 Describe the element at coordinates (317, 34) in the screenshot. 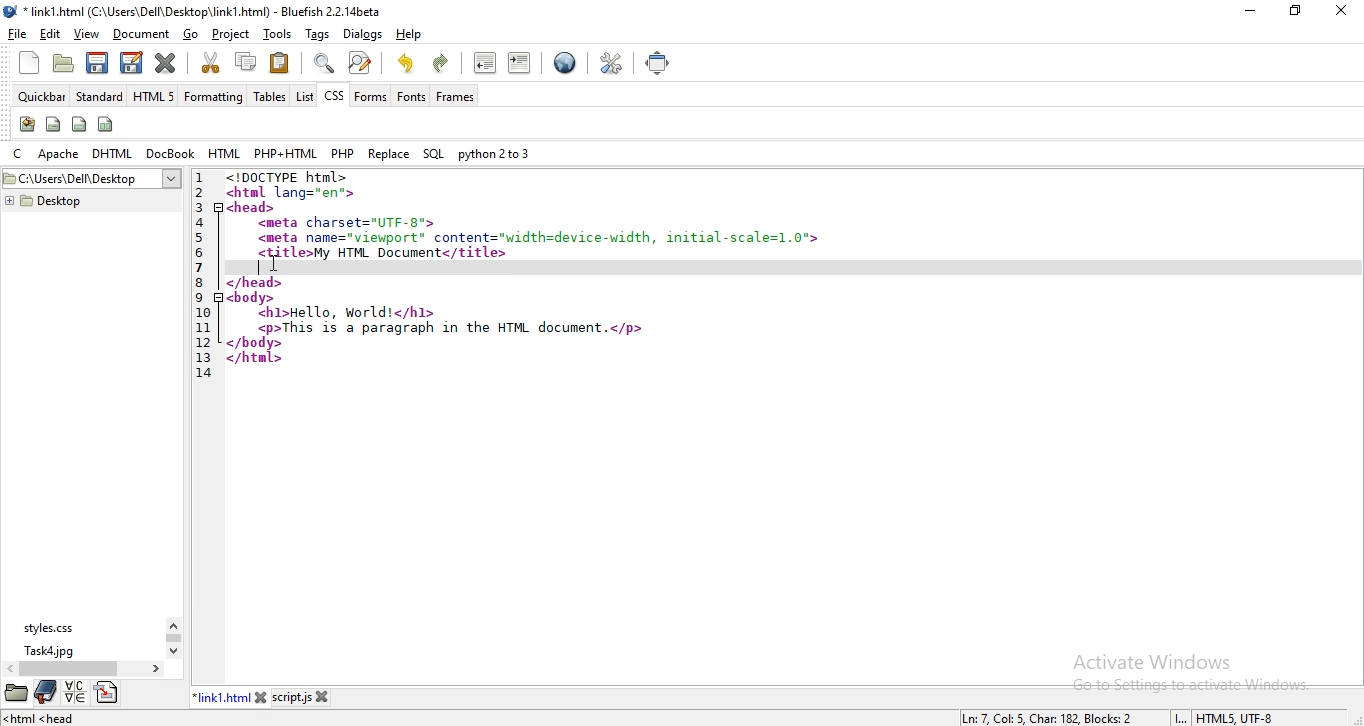

I see `tags` at that location.